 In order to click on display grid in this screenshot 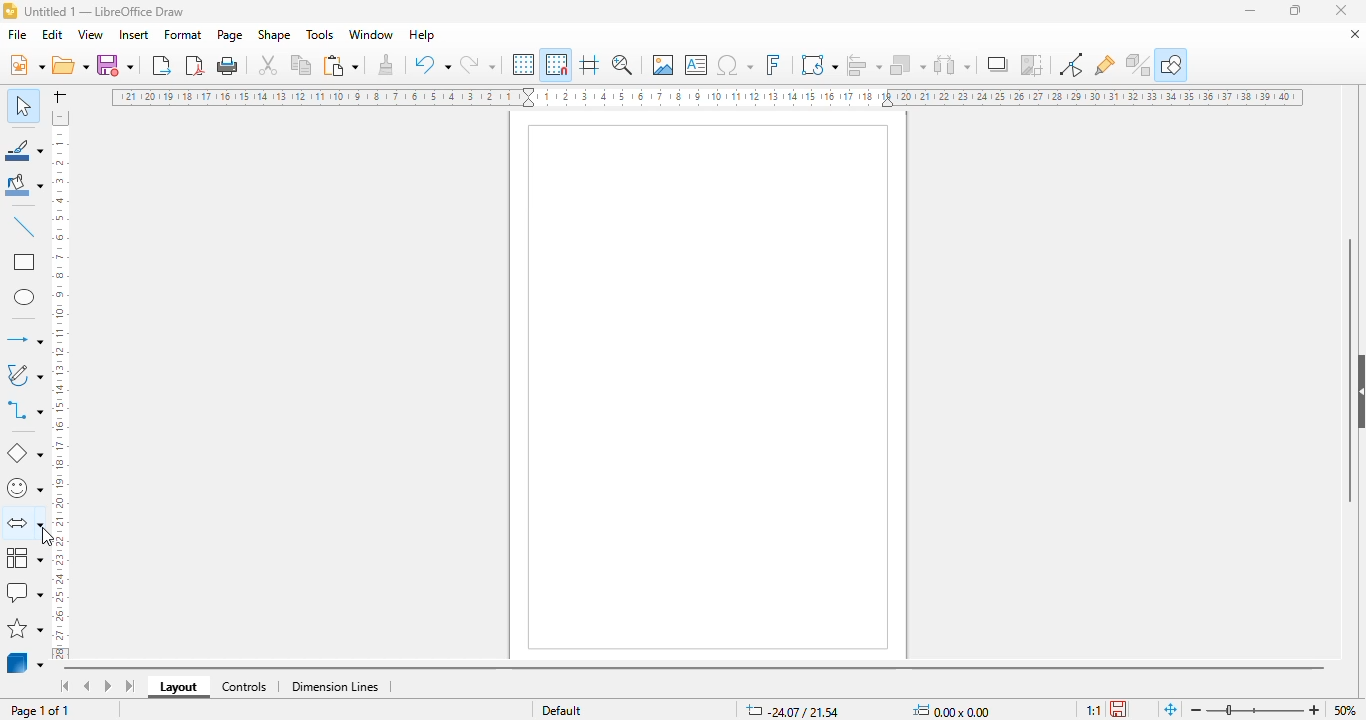, I will do `click(525, 65)`.